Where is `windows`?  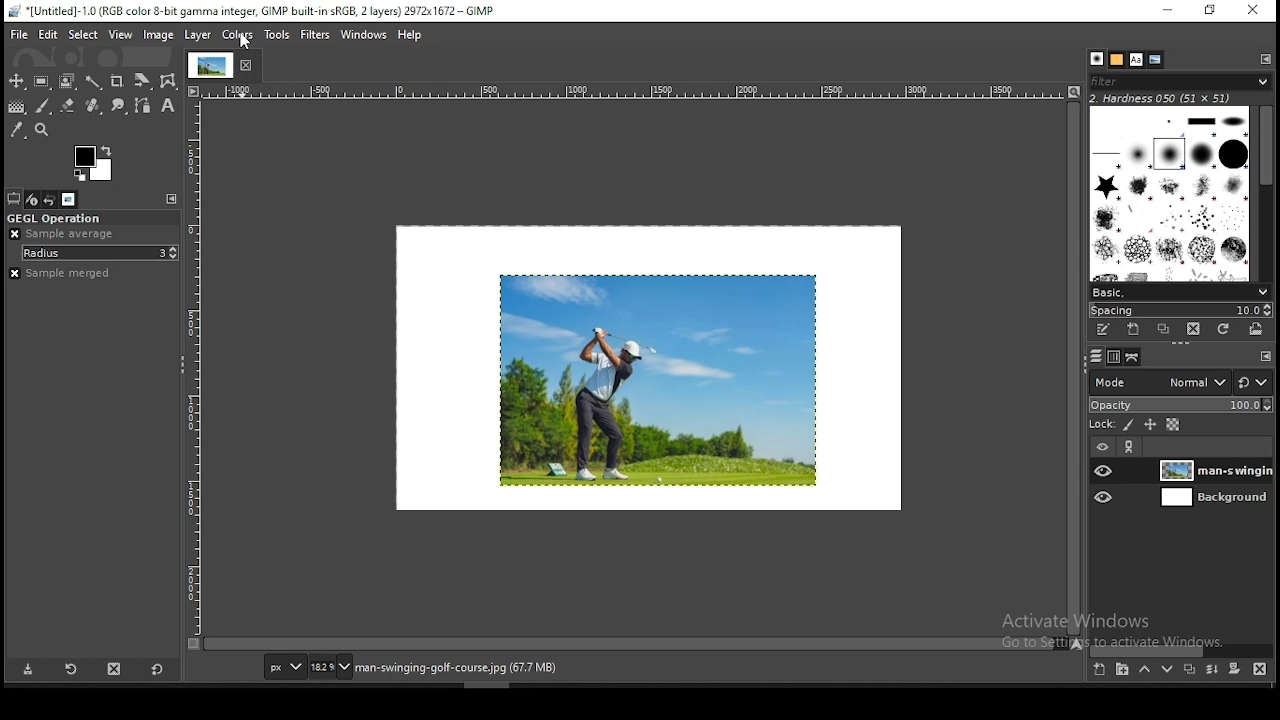
windows is located at coordinates (364, 35).